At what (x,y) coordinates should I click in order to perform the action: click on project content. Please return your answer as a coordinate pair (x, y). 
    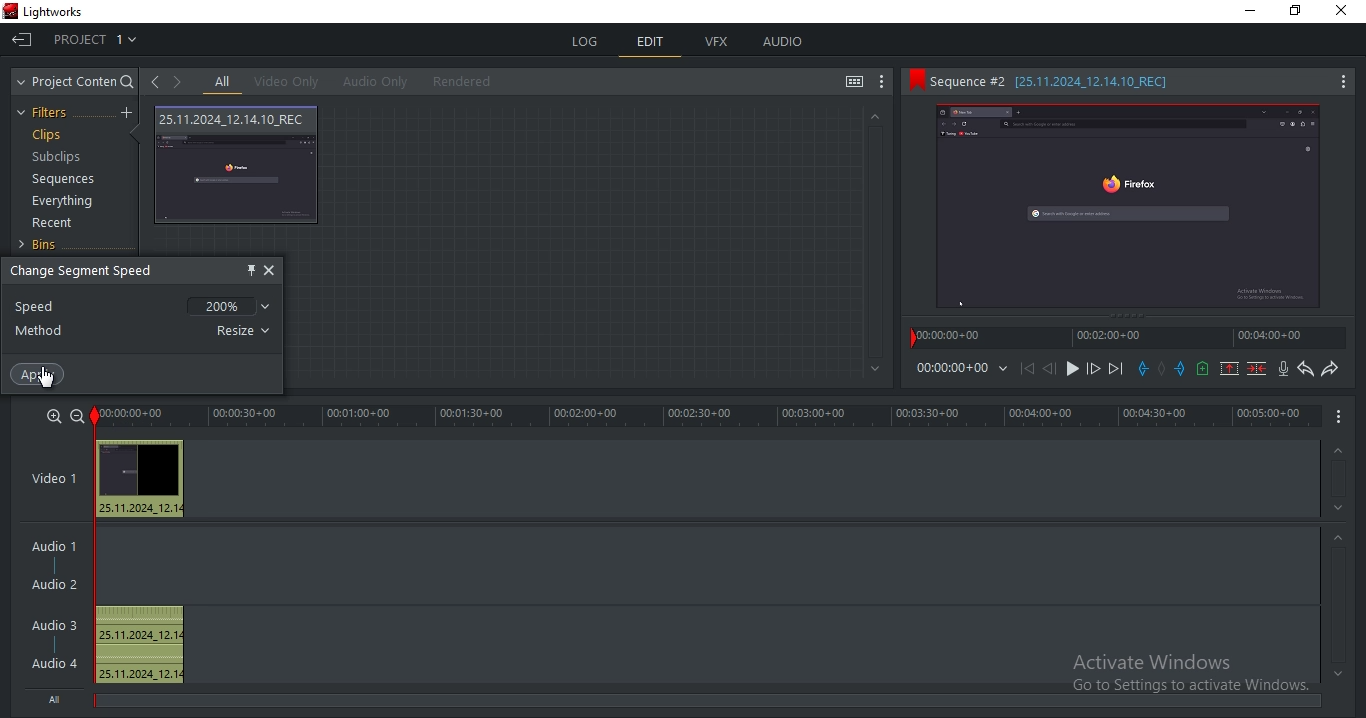
    Looking at the image, I should click on (75, 82).